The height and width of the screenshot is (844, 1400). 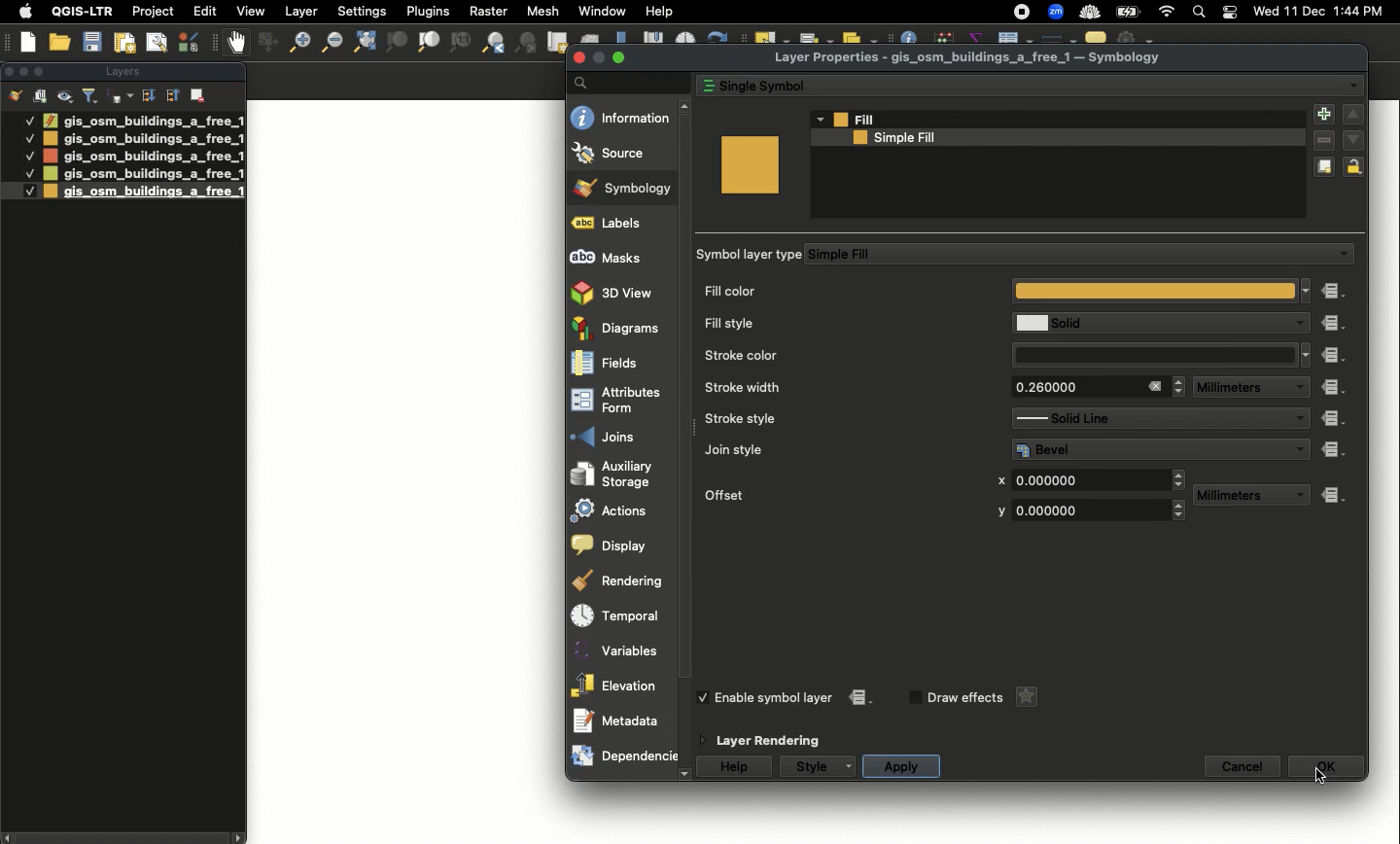 I want to click on Zoom full, so click(x=363, y=43).